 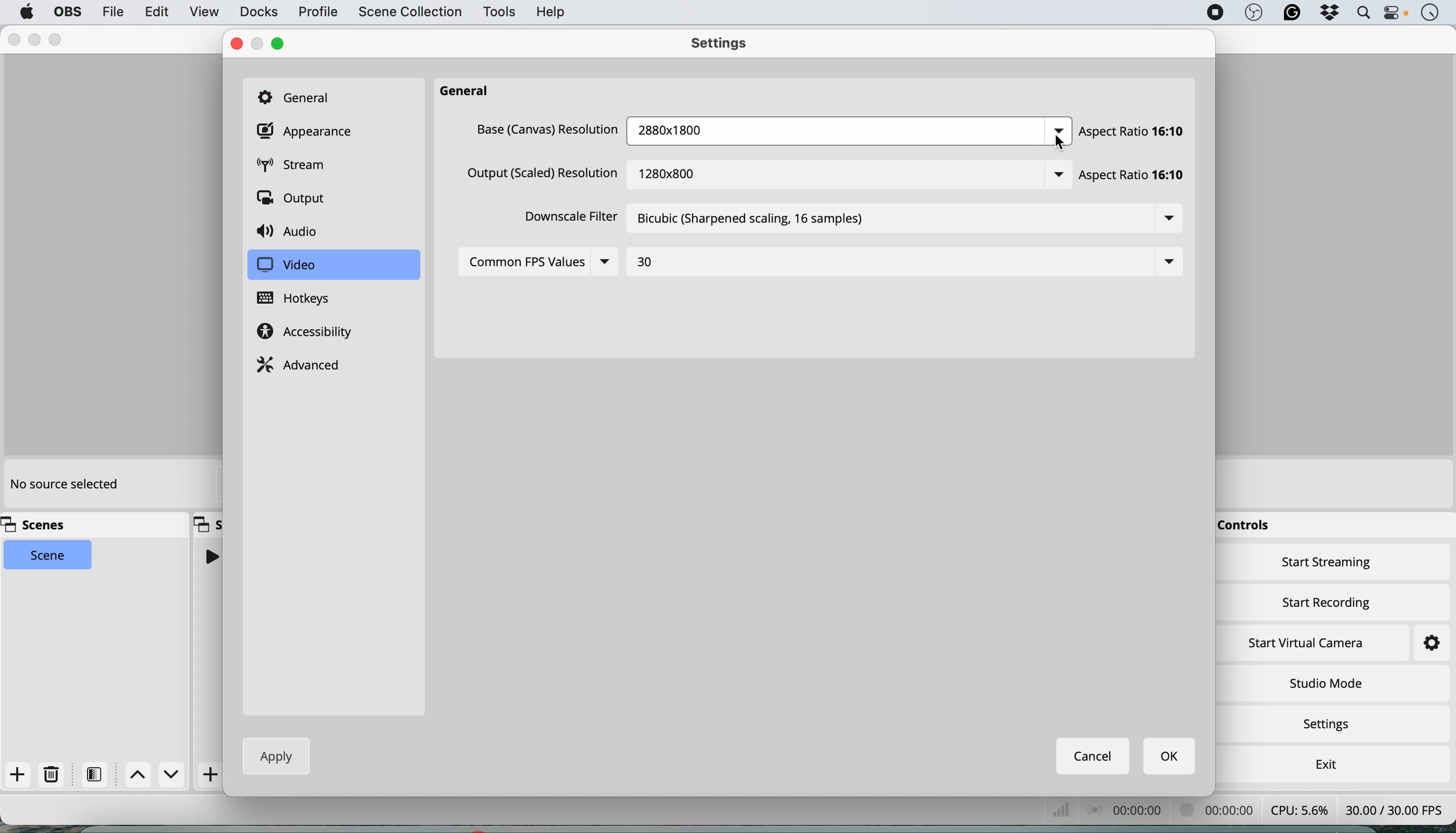 I want to click on maximise, so click(x=283, y=43).